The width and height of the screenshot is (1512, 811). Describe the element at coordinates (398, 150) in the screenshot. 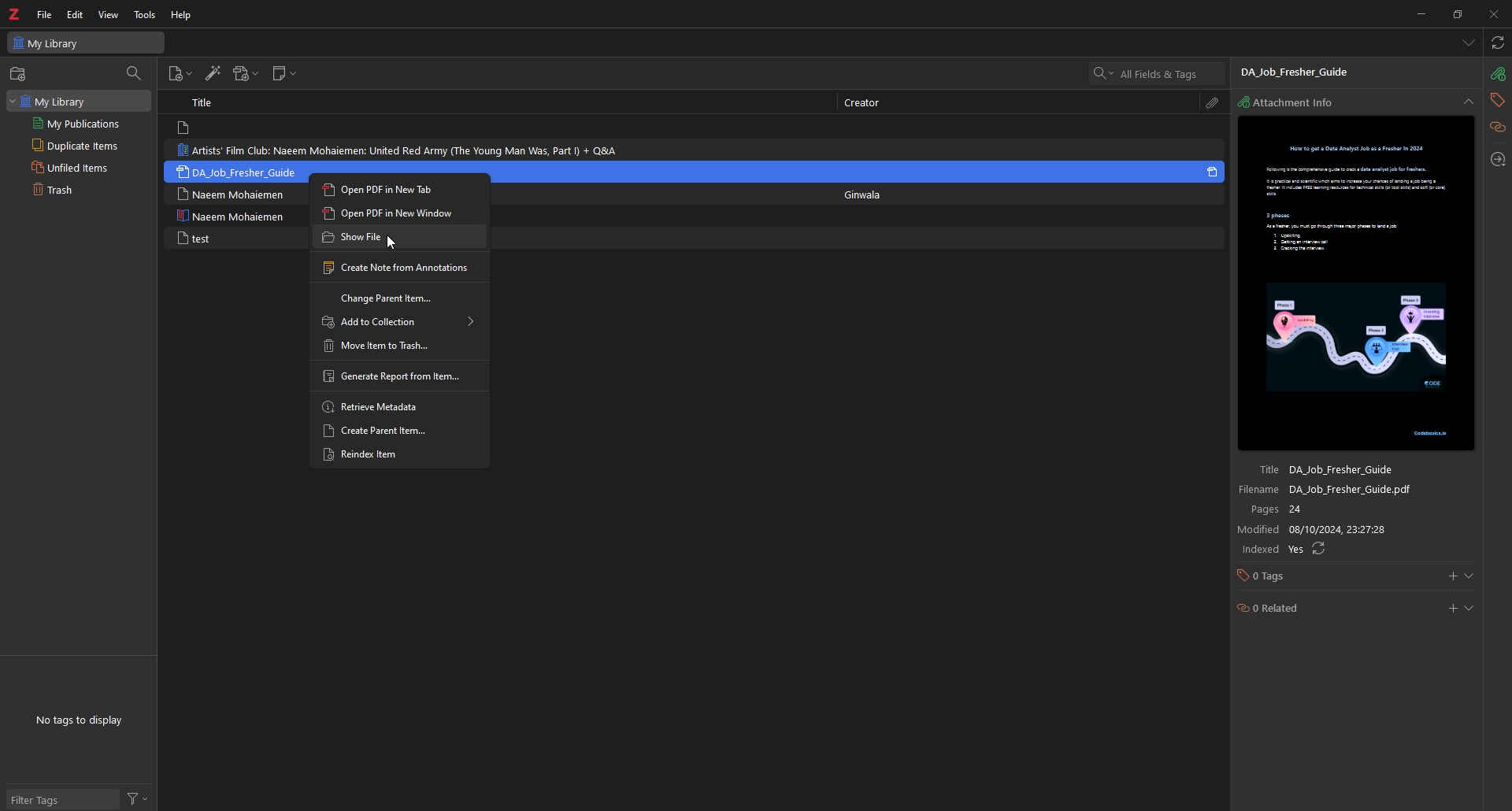

I see `note` at that location.